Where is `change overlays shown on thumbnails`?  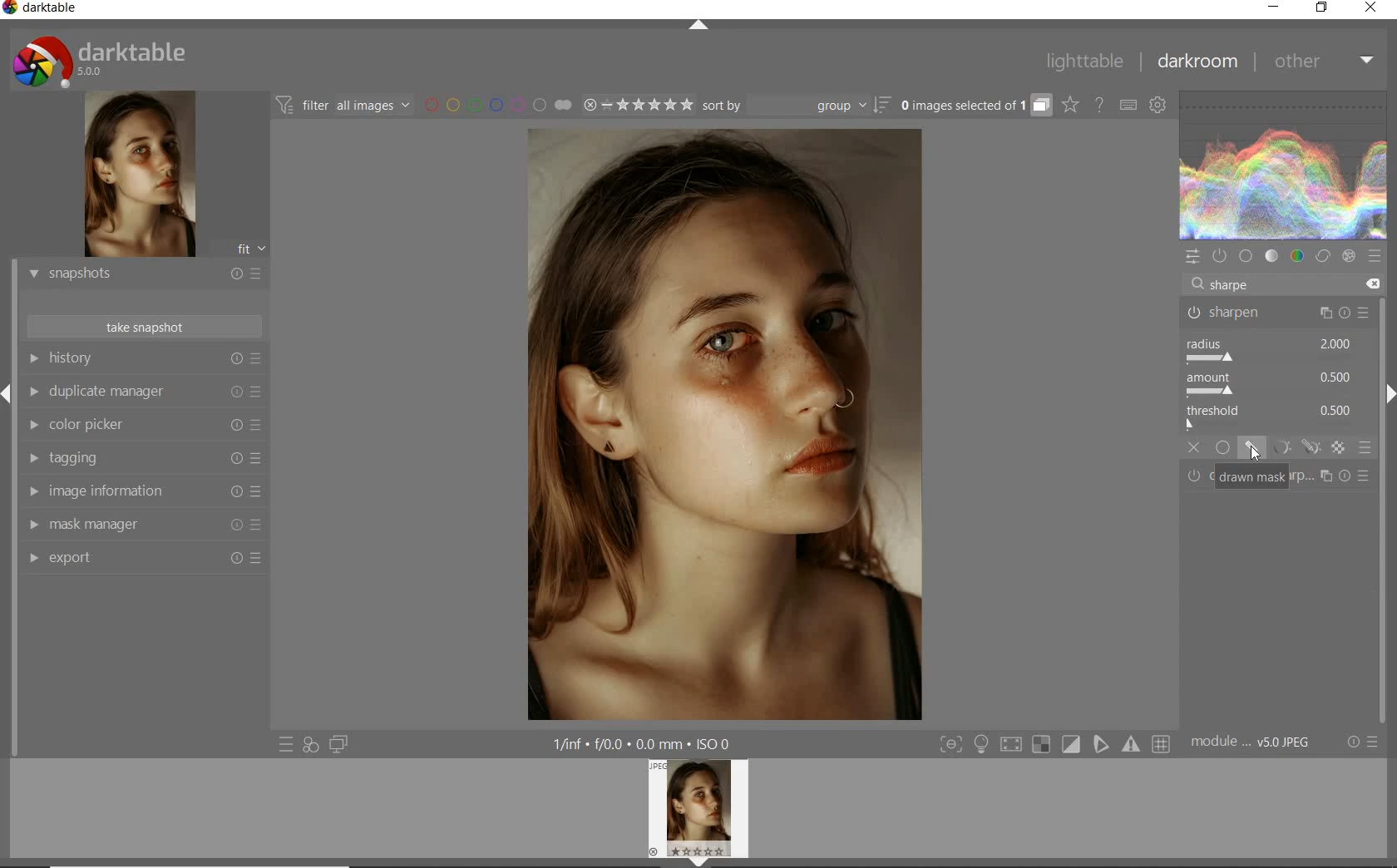 change overlays shown on thumbnails is located at coordinates (1069, 106).